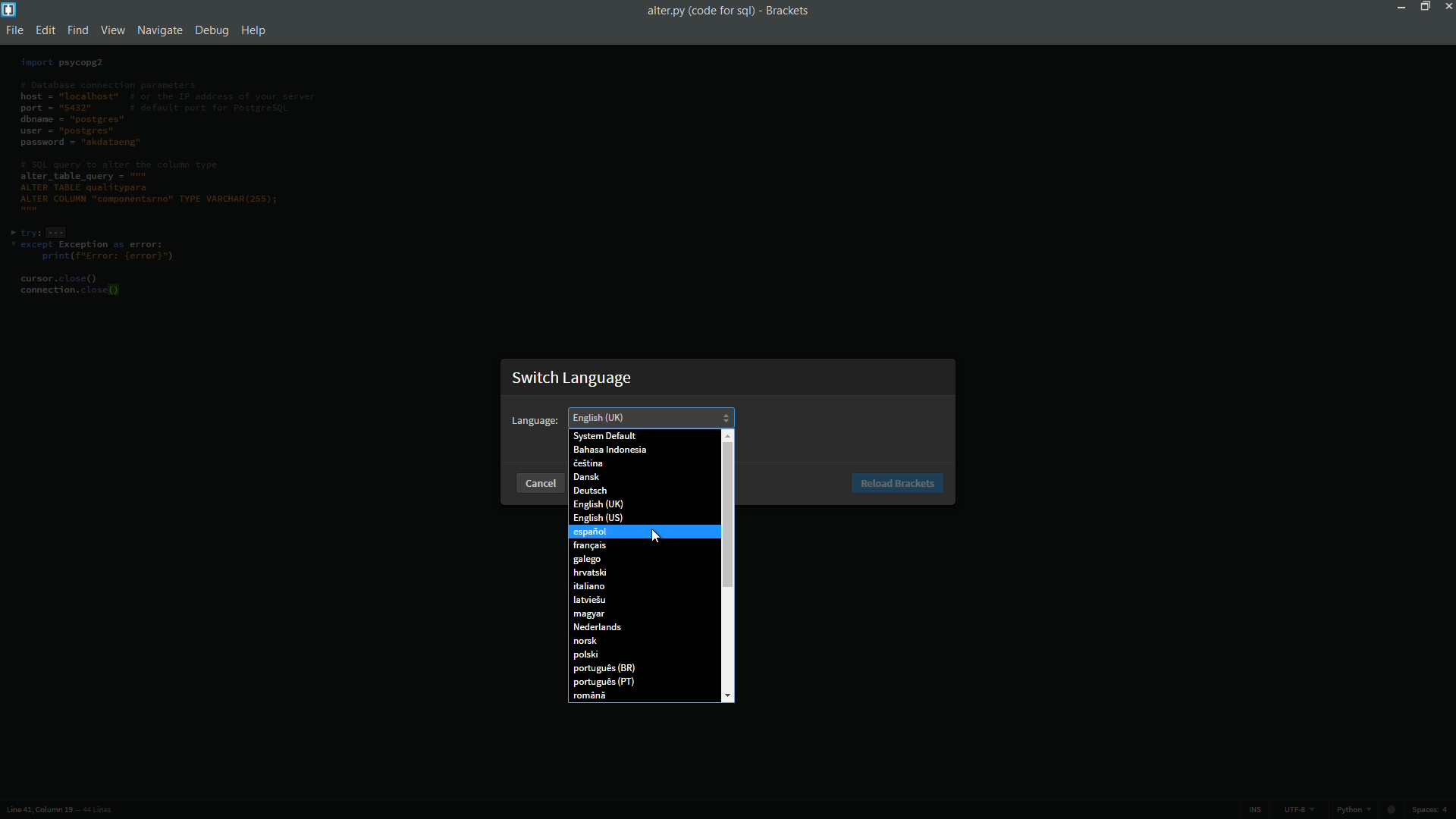 The width and height of the screenshot is (1456, 819). What do you see at coordinates (644, 416) in the screenshot?
I see `English (UK)` at bounding box center [644, 416].